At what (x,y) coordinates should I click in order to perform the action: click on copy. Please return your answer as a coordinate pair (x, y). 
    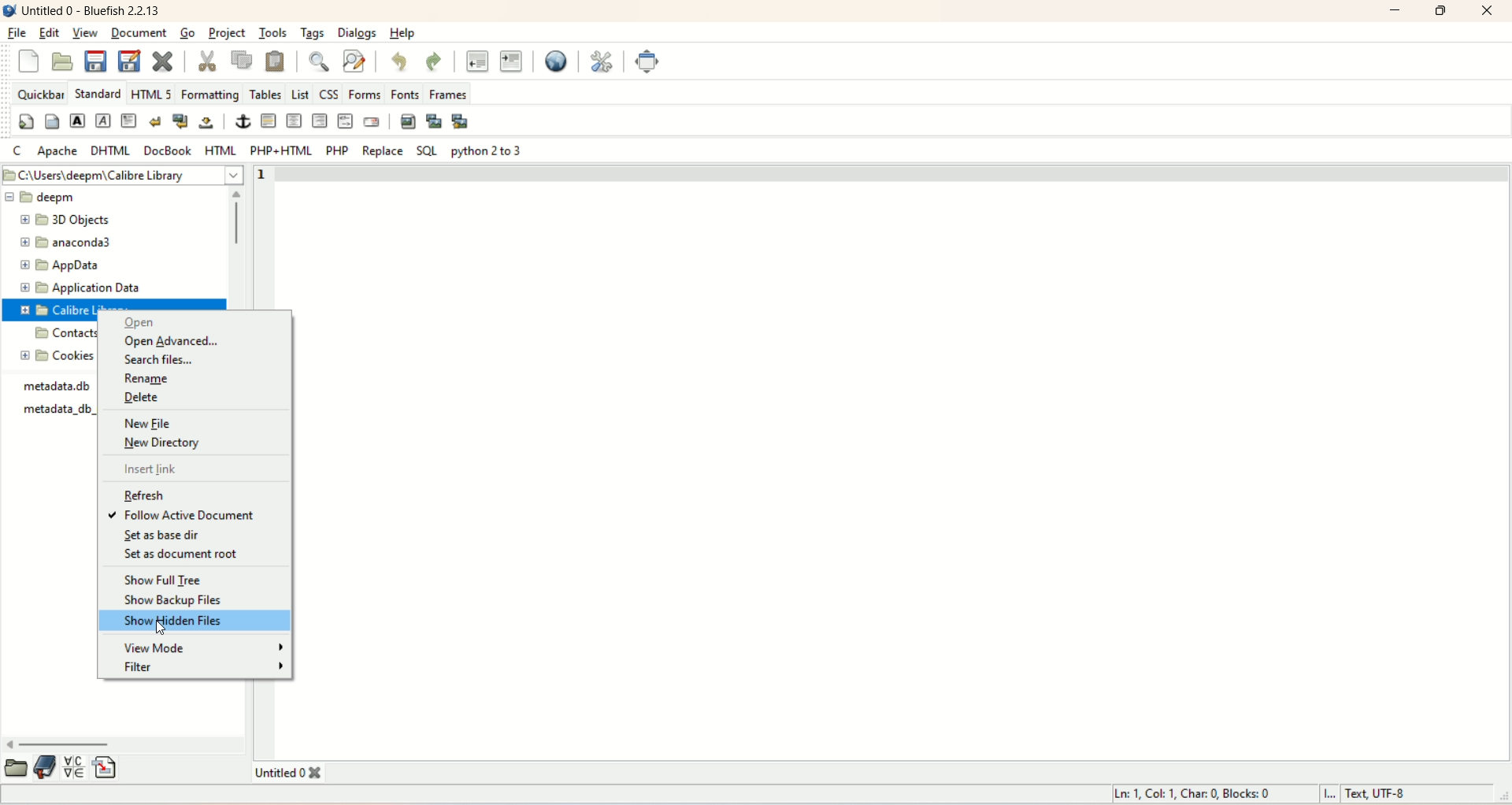
    Looking at the image, I should click on (242, 61).